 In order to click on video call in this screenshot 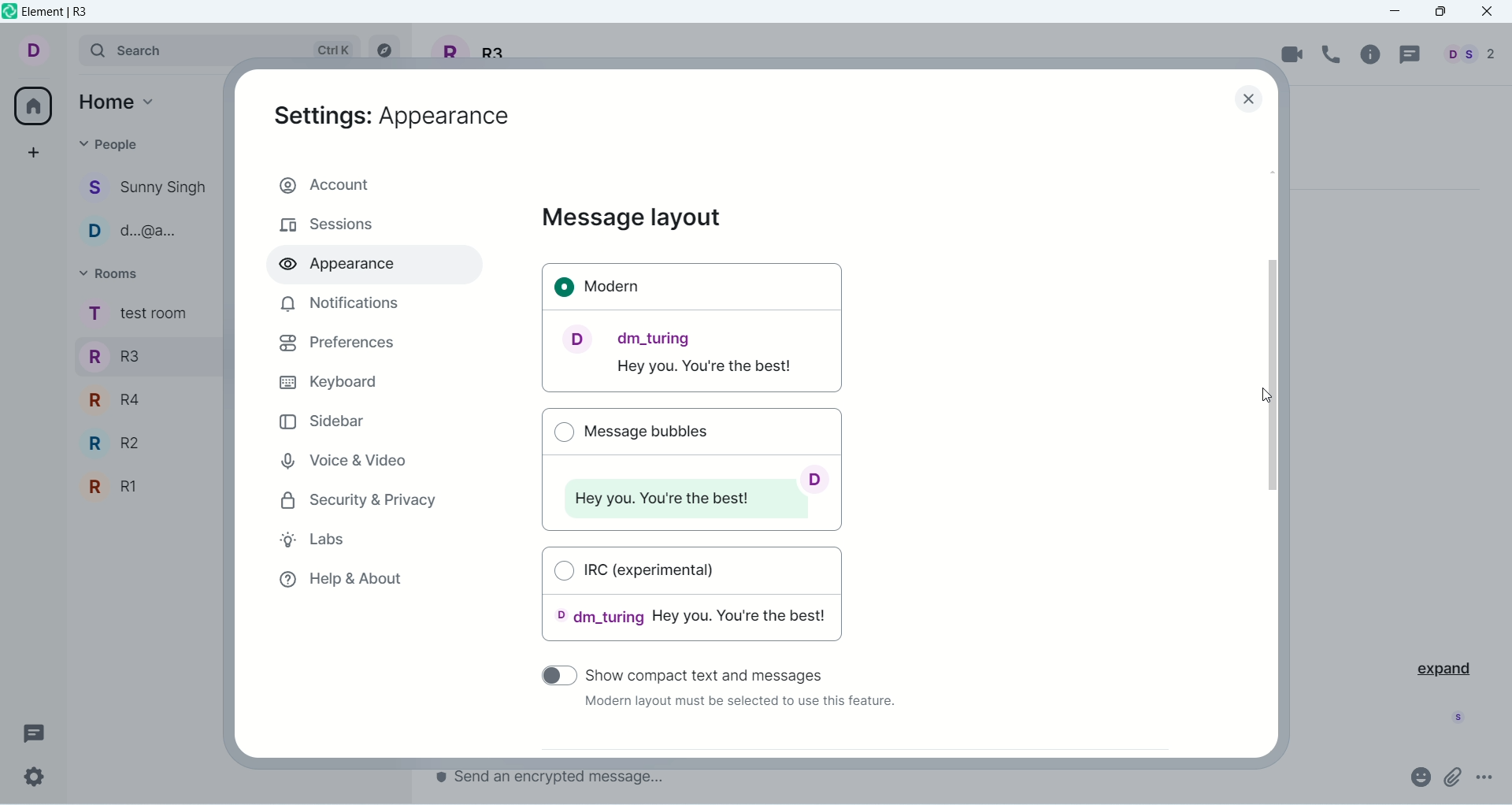, I will do `click(1293, 54)`.